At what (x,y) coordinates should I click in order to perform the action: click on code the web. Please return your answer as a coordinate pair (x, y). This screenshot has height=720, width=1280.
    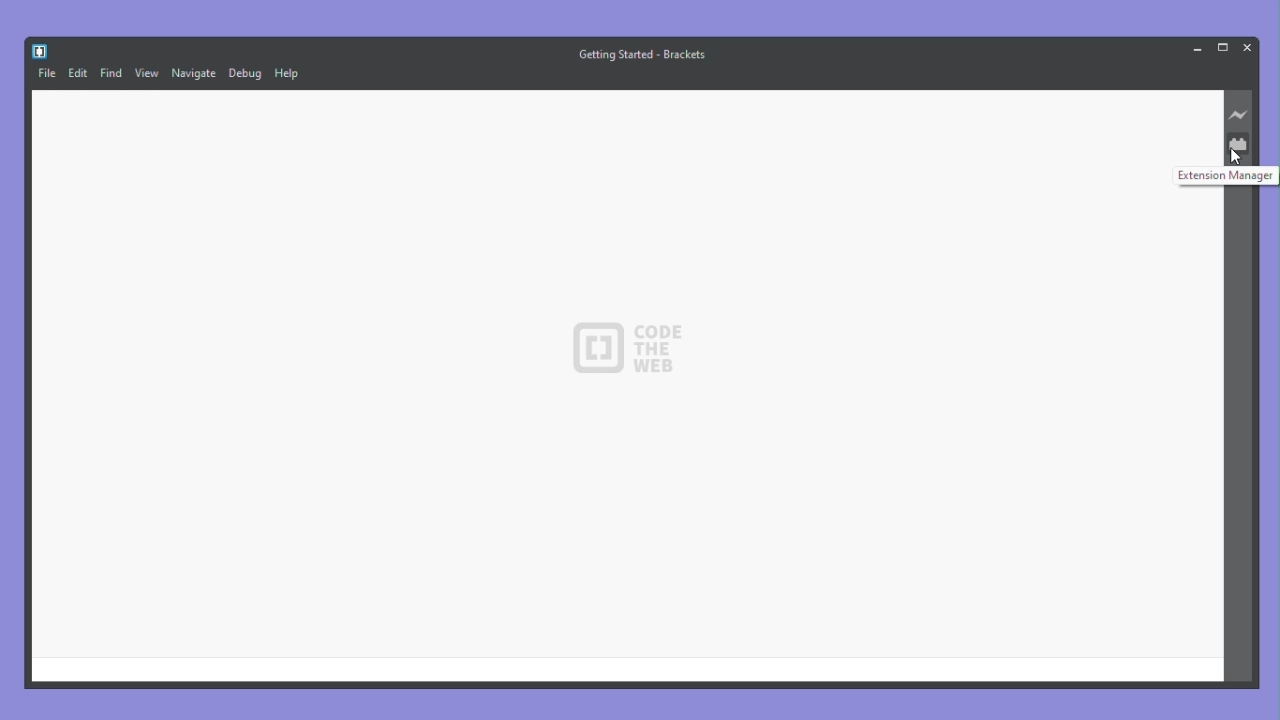
    Looking at the image, I should click on (627, 350).